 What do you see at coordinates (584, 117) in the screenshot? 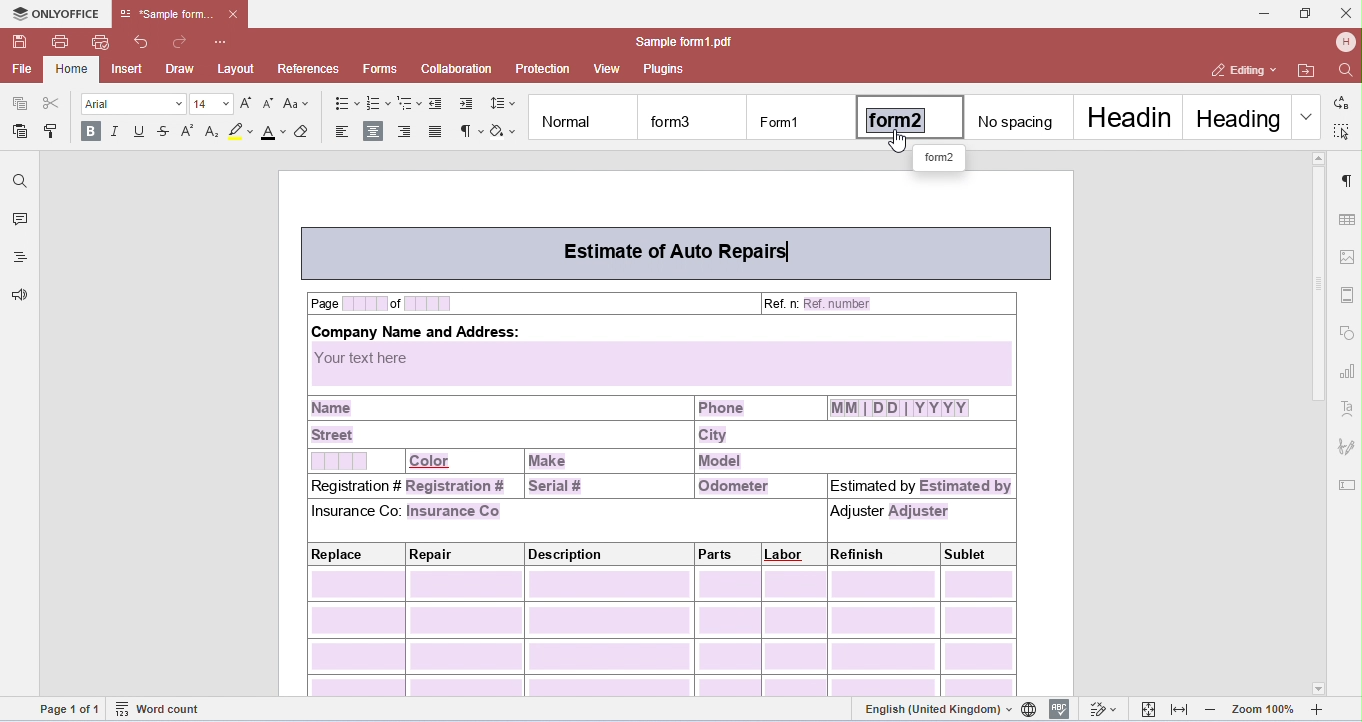
I see `normal` at bounding box center [584, 117].